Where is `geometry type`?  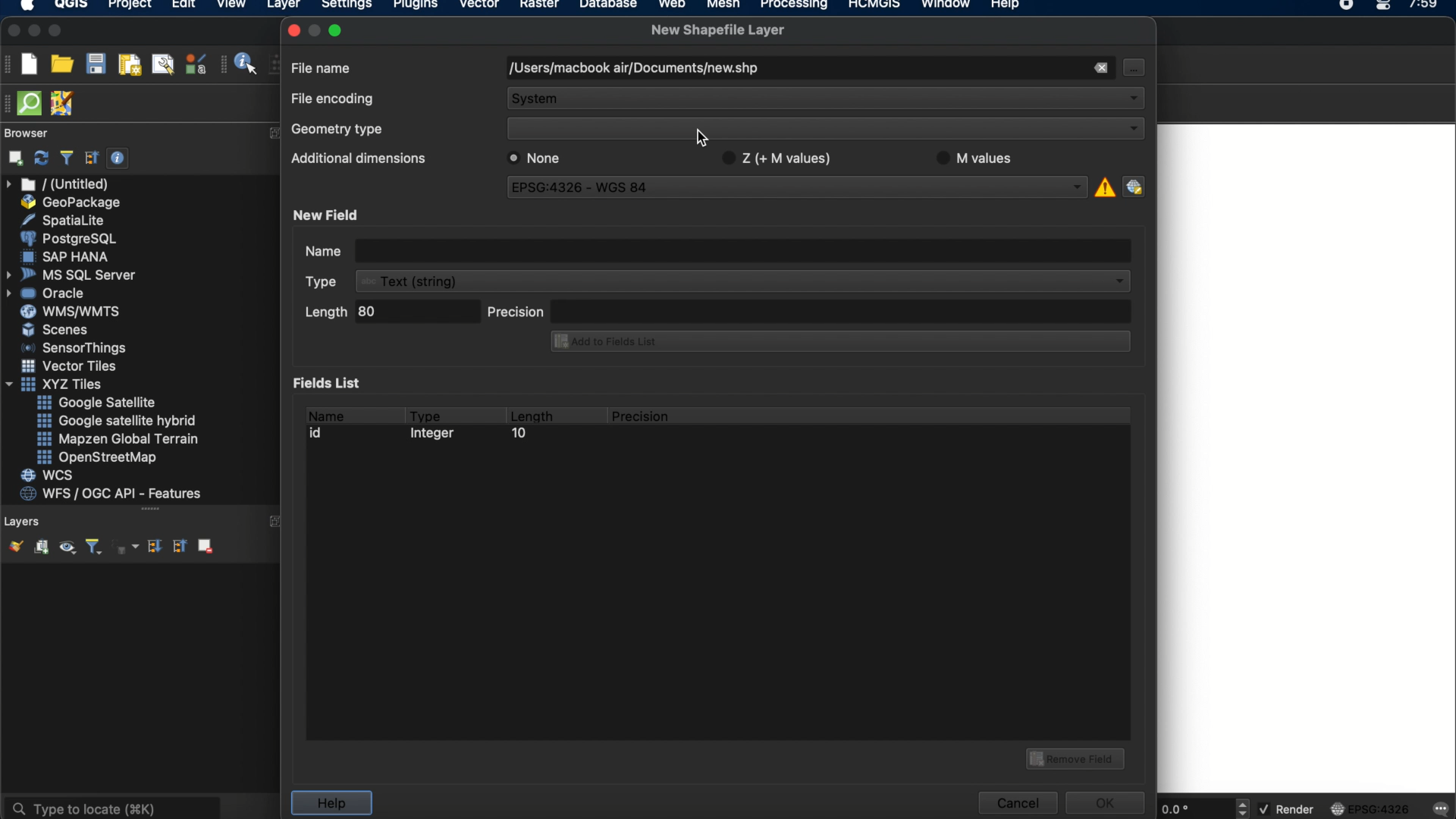
geometry type is located at coordinates (337, 130).